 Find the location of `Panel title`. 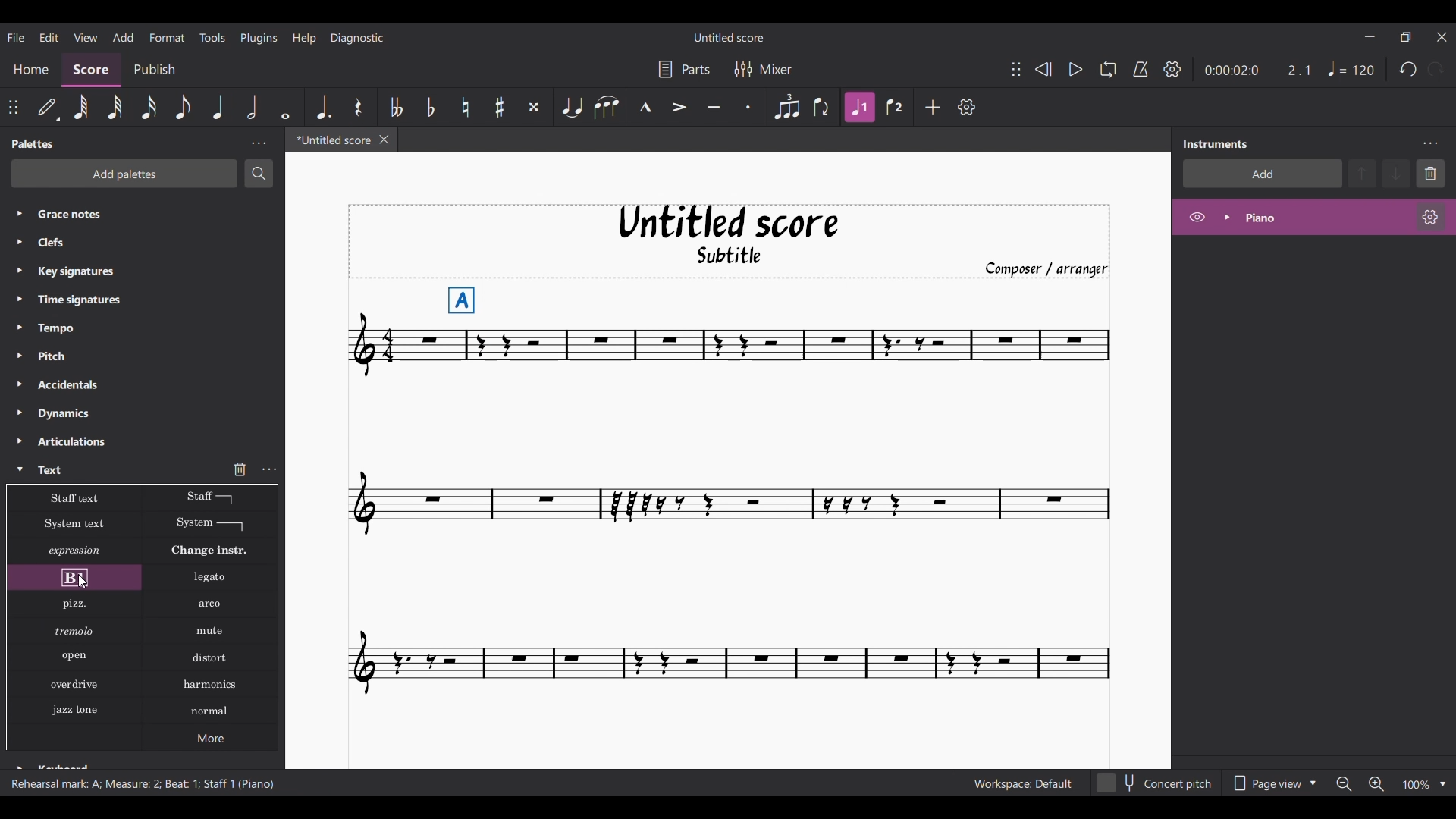

Panel title is located at coordinates (34, 143).